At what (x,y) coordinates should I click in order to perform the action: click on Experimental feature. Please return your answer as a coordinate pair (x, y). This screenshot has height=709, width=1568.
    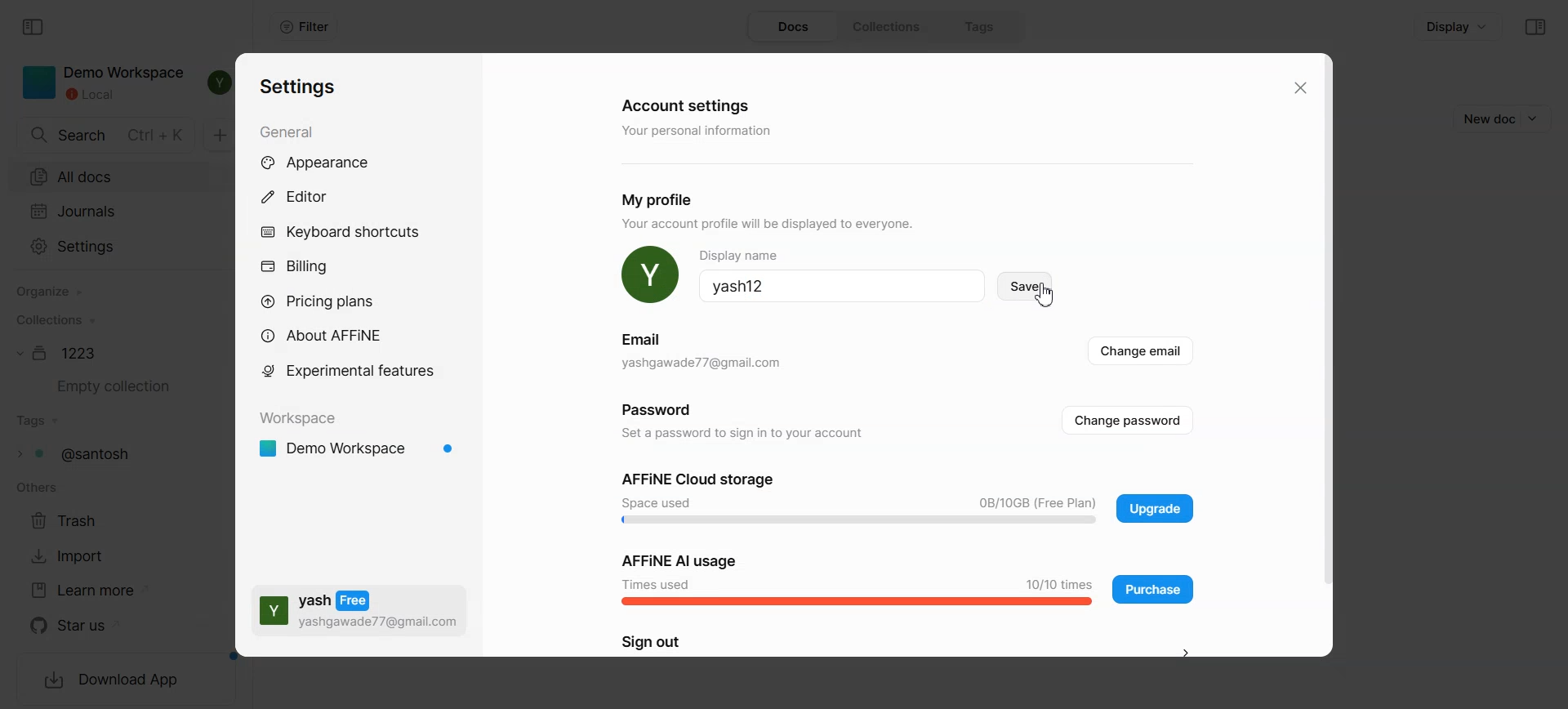
    Looking at the image, I should click on (348, 370).